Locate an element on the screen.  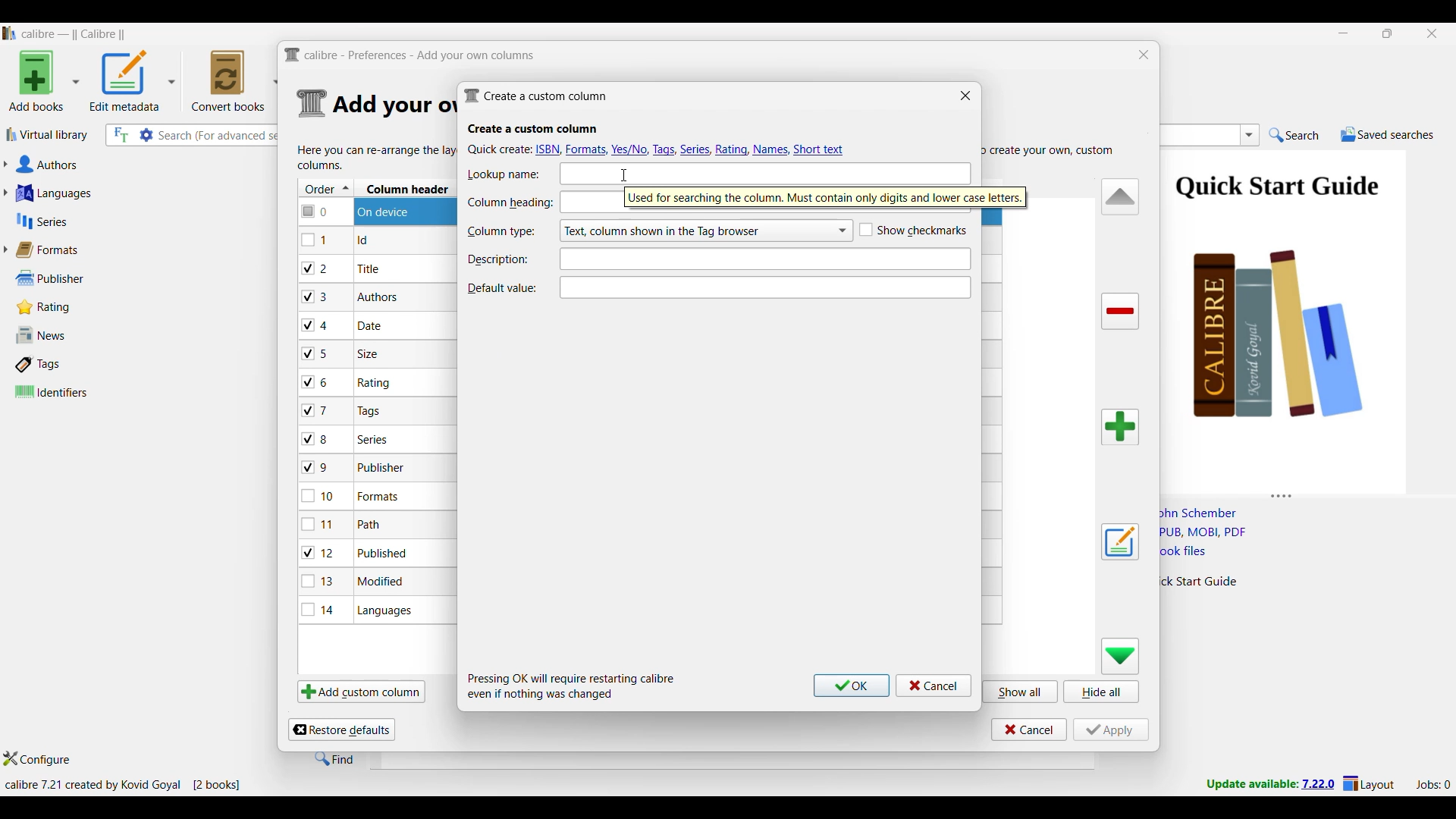
Indicates description text box is located at coordinates (498, 259).